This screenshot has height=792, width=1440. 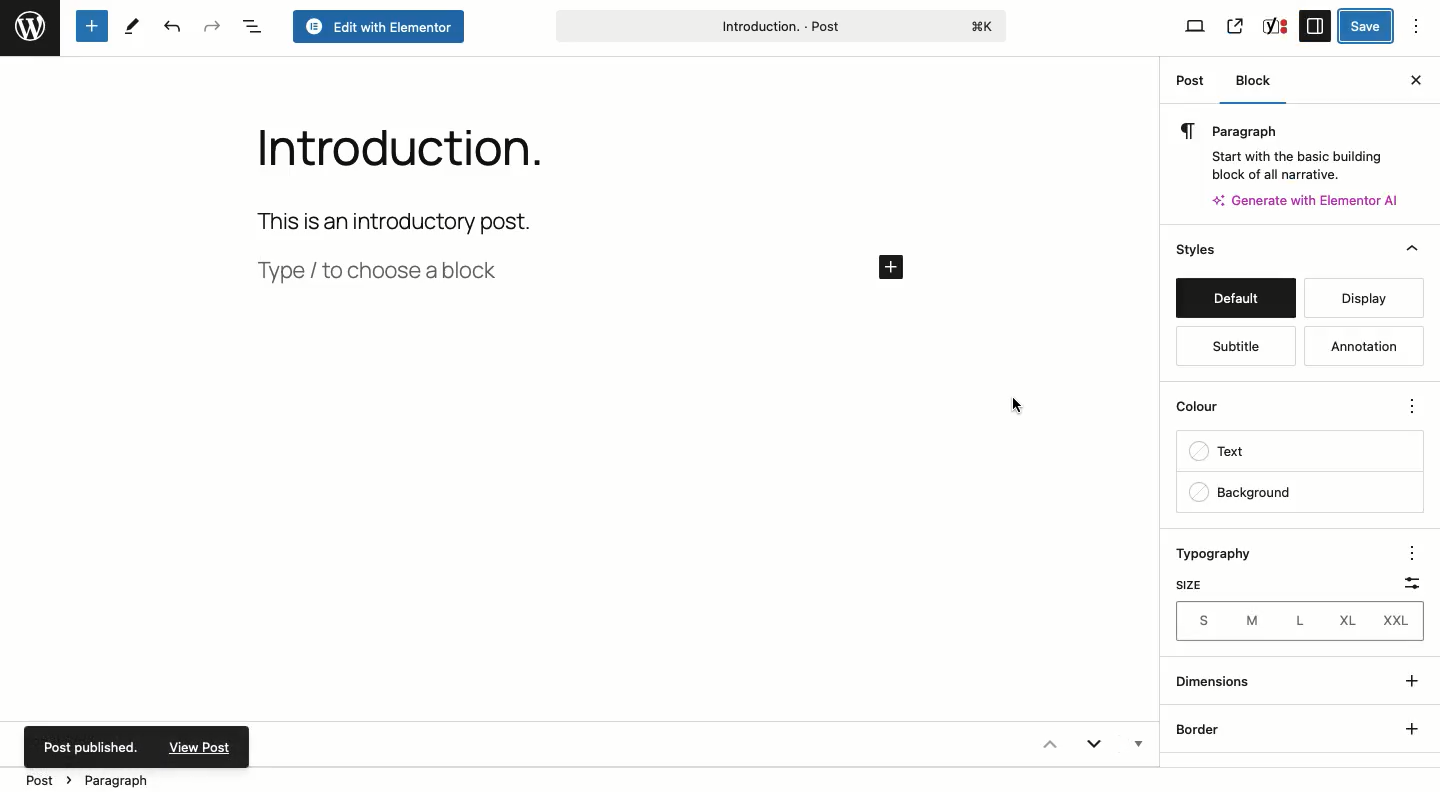 I want to click on Paragraph, so click(x=1292, y=148).